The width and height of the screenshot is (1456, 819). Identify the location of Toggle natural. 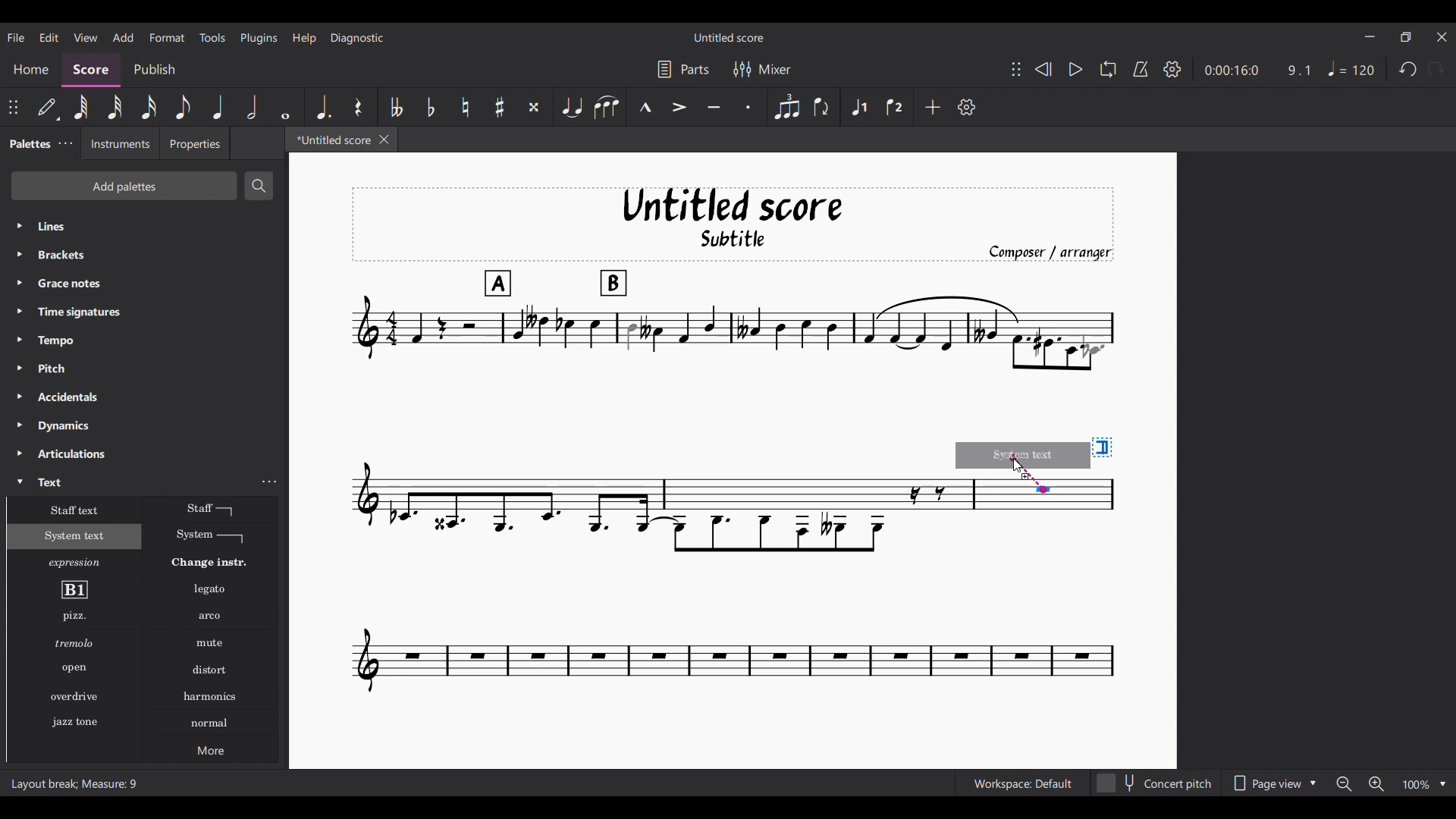
(466, 107).